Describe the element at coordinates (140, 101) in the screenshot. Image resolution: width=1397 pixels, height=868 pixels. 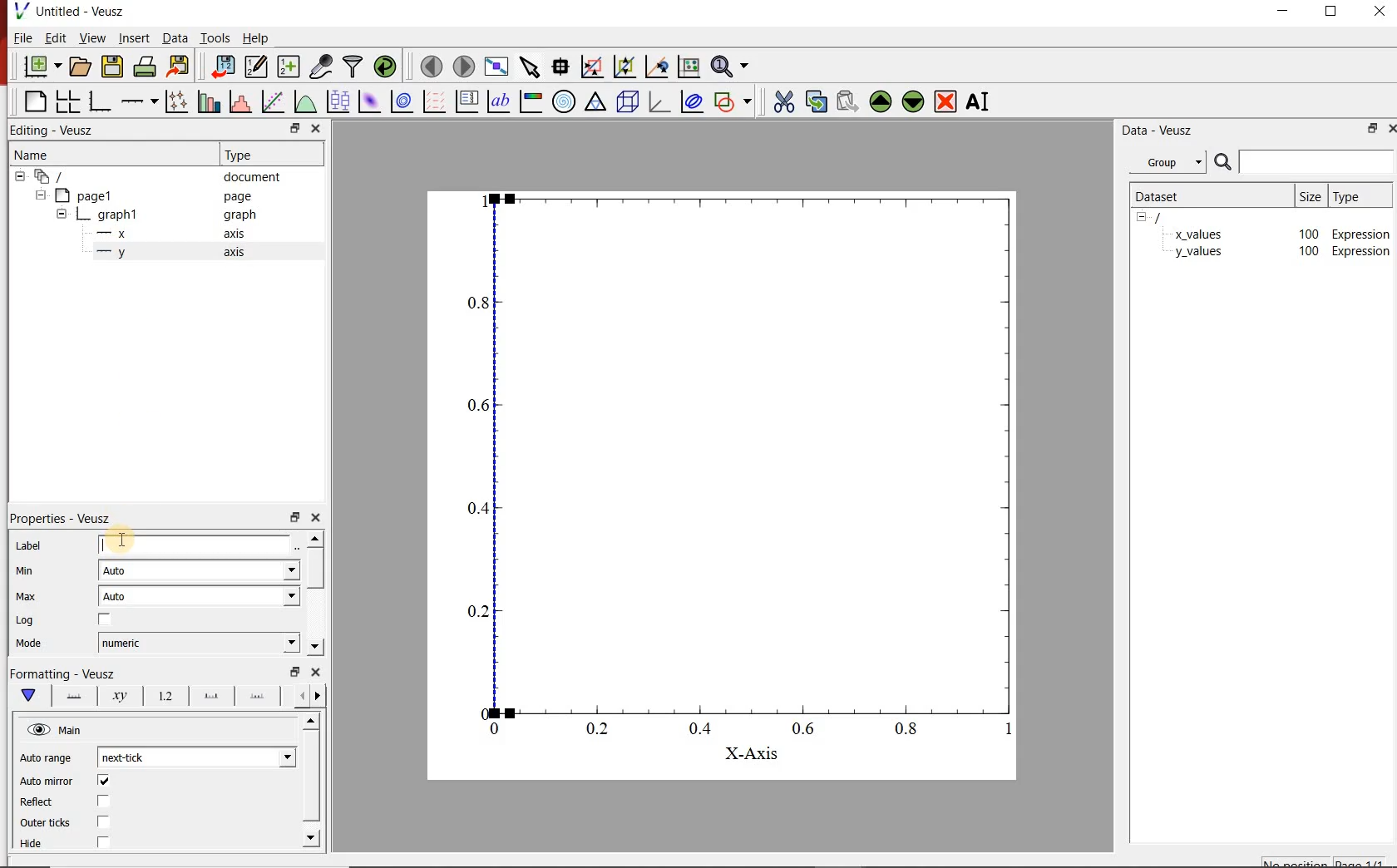
I see `add axis on the plot` at that location.